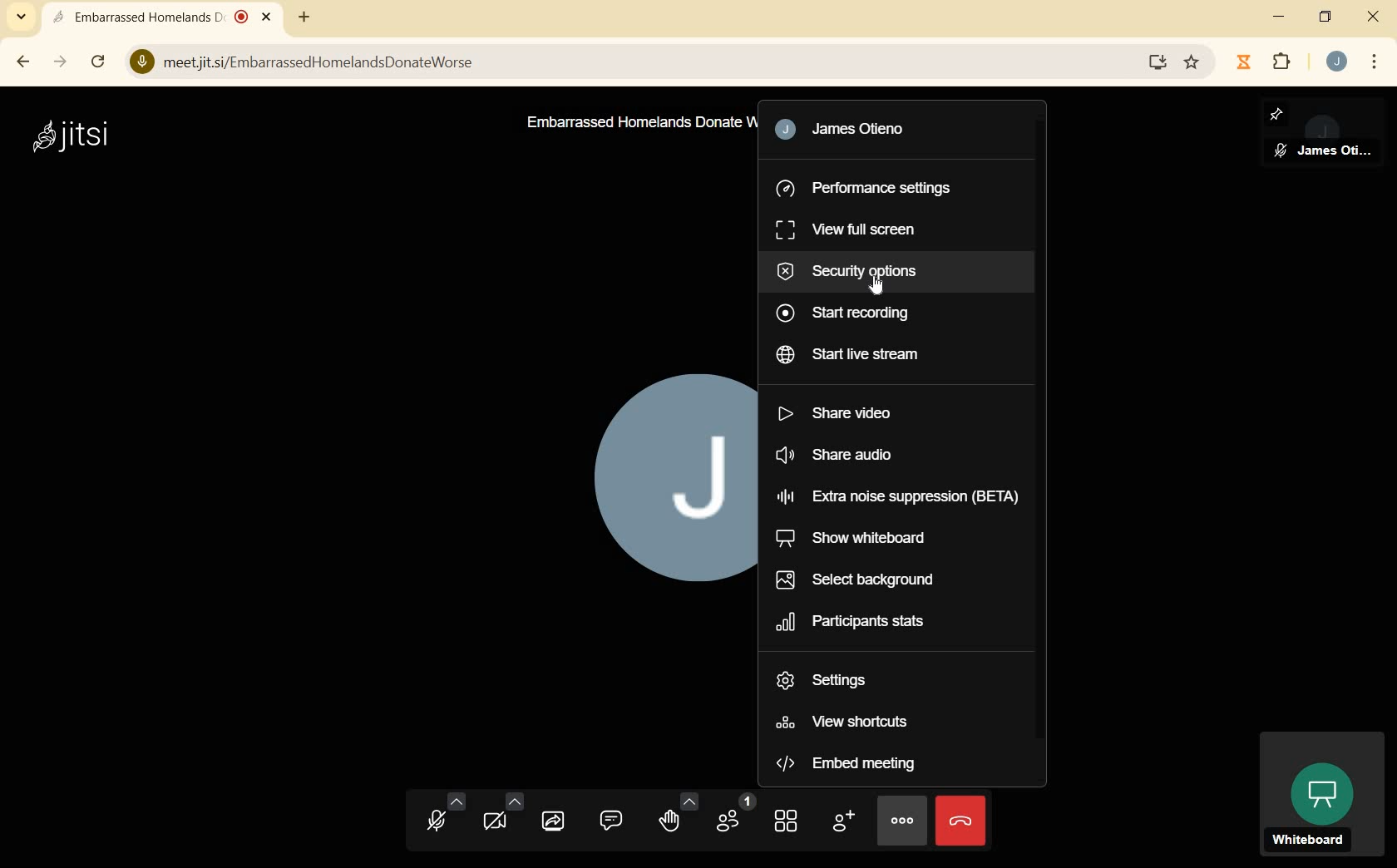  What do you see at coordinates (1281, 18) in the screenshot?
I see `minimize` at bounding box center [1281, 18].